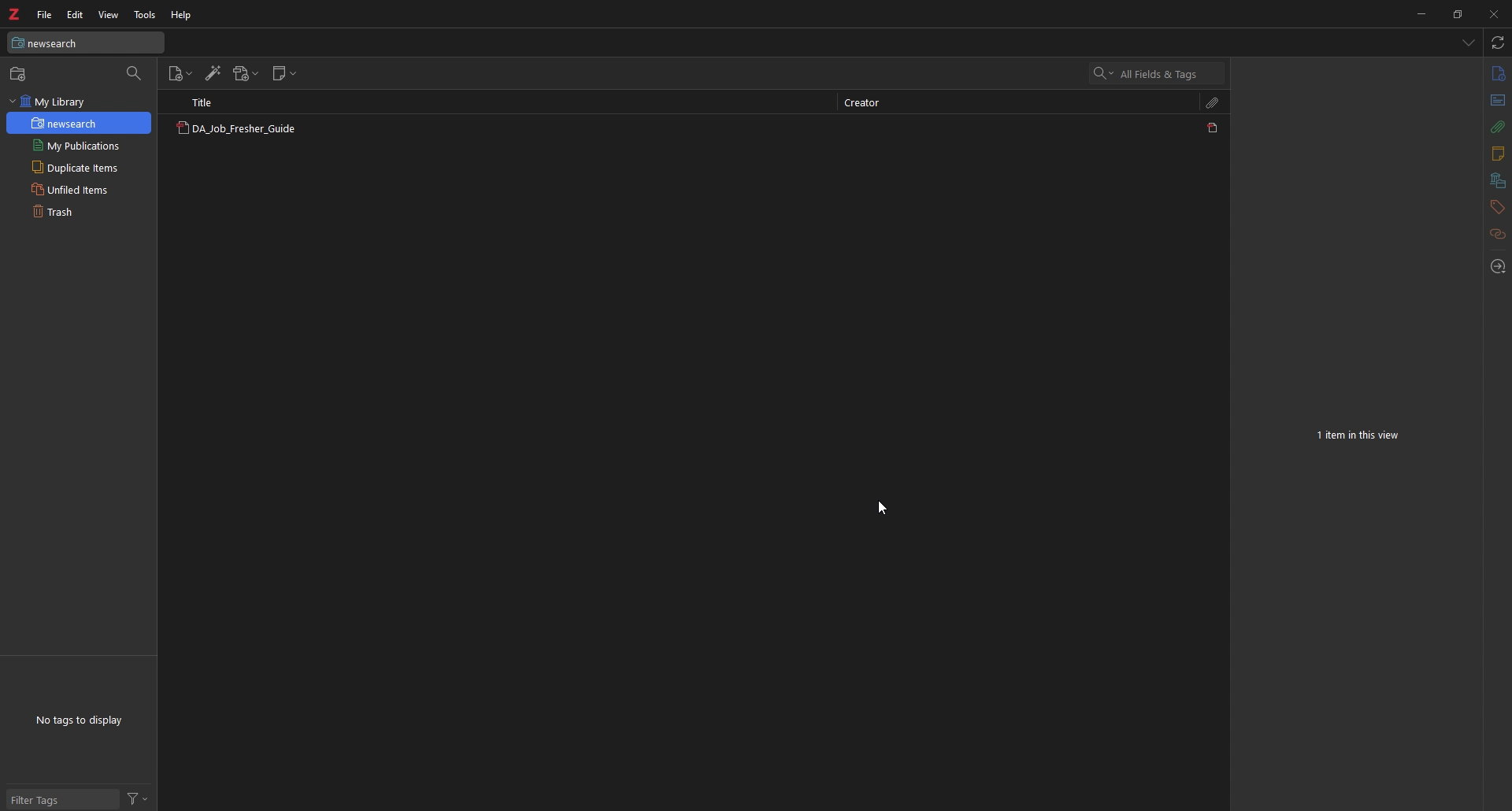 This screenshot has height=811, width=1512. Describe the element at coordinates (1360, 435) in the screenshot. I see `1 item in this view` at that location.